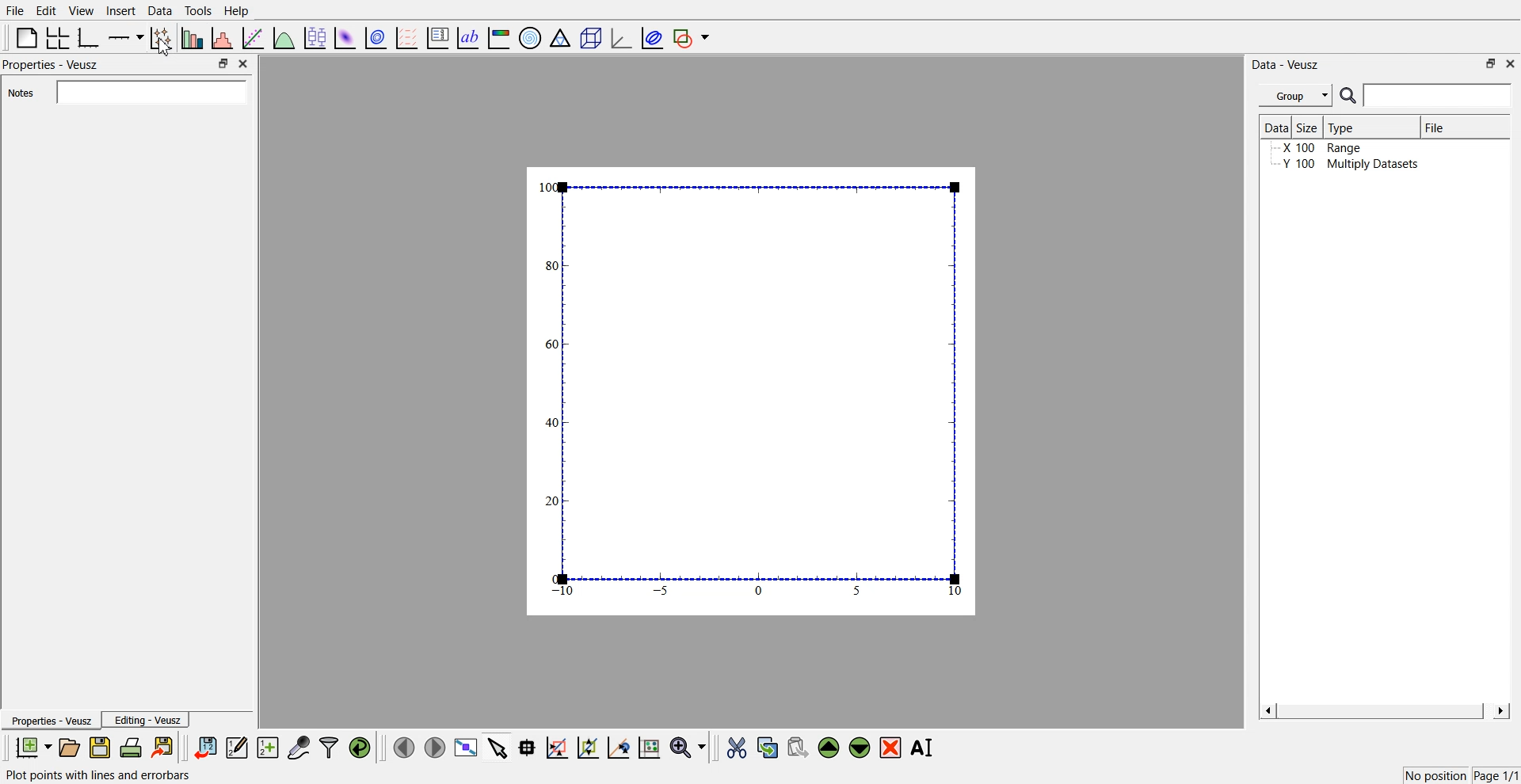 The height and width of the screenshot is (784, 1521). What do you see at coordinates (588, 38) in the screenshot?
I see `3d shapes` at bounding box center [588, 38].